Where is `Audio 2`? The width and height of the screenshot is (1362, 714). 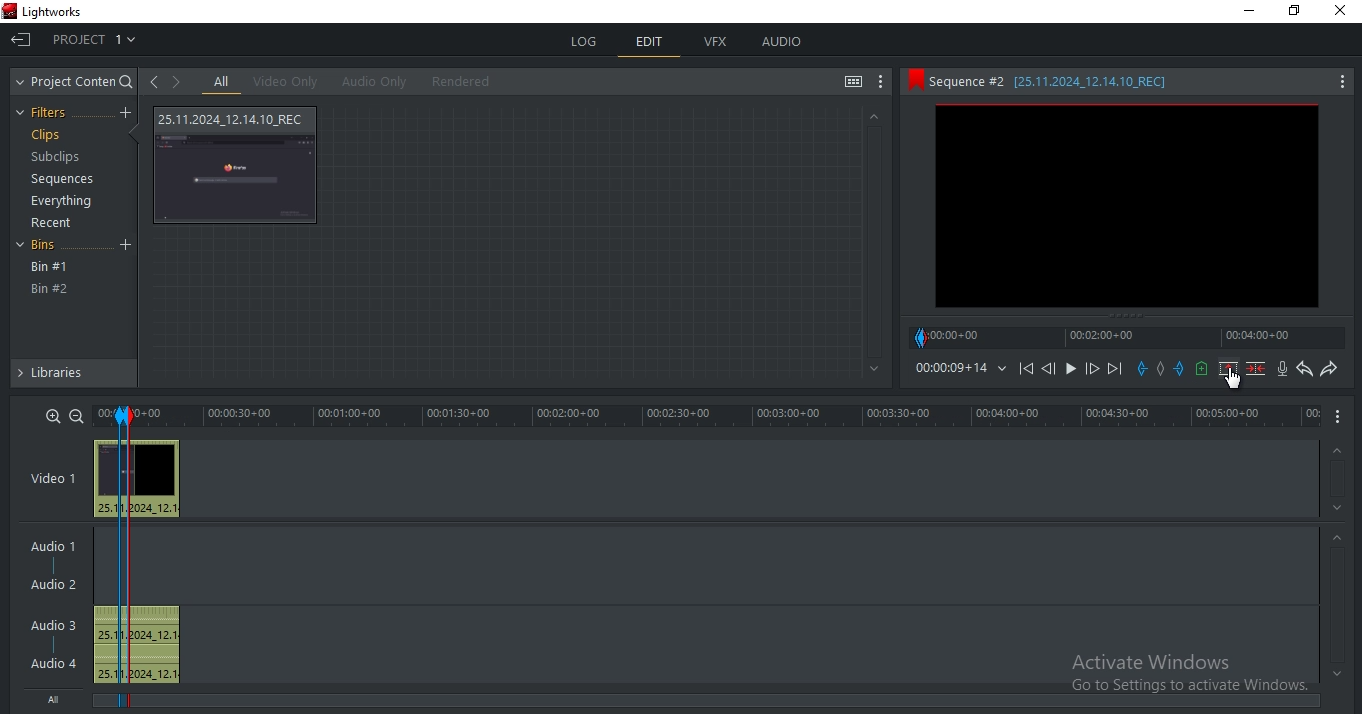 Audio 2 is located at coordinates (61, 585).